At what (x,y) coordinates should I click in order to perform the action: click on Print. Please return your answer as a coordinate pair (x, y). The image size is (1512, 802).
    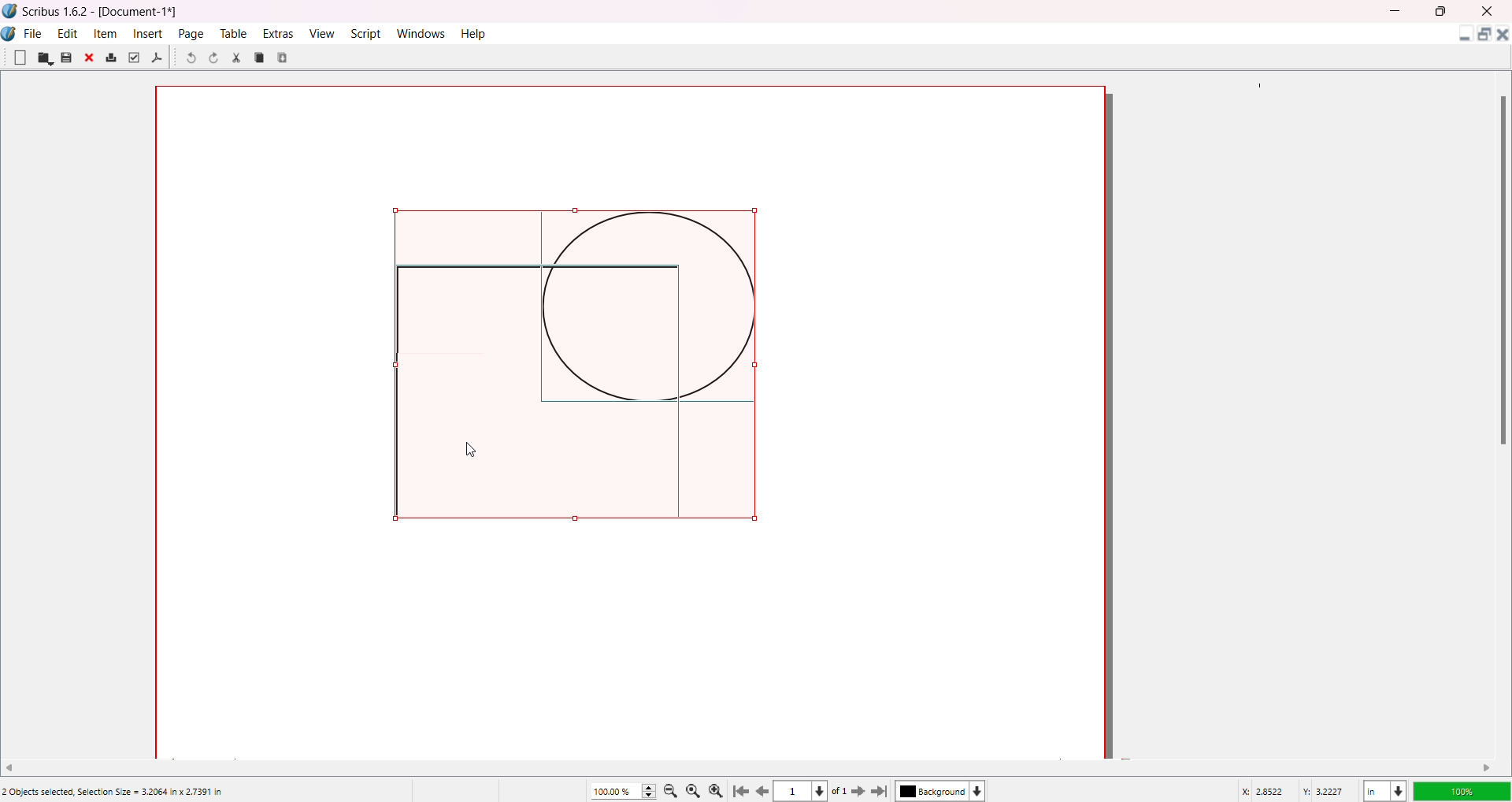
    Looking at the image, I should click on (111, 58).